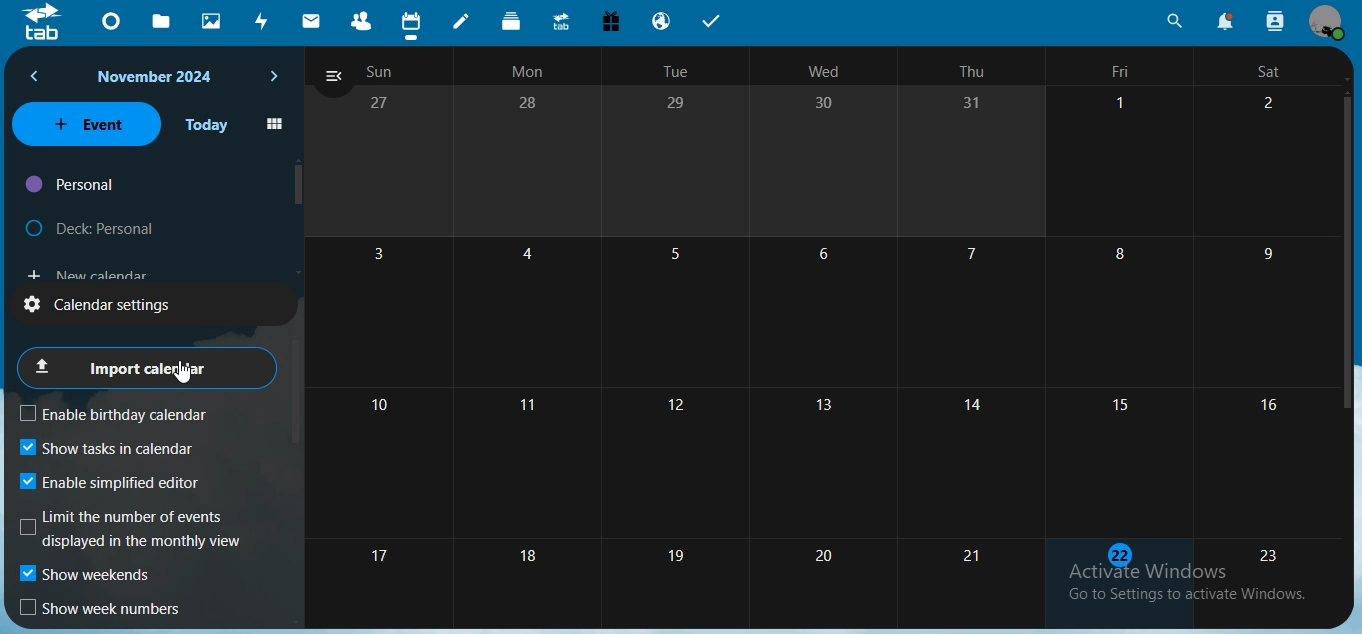  Describe the element at coordinates (103, 609) in the screenshot. I see `show week numbers` at that location.